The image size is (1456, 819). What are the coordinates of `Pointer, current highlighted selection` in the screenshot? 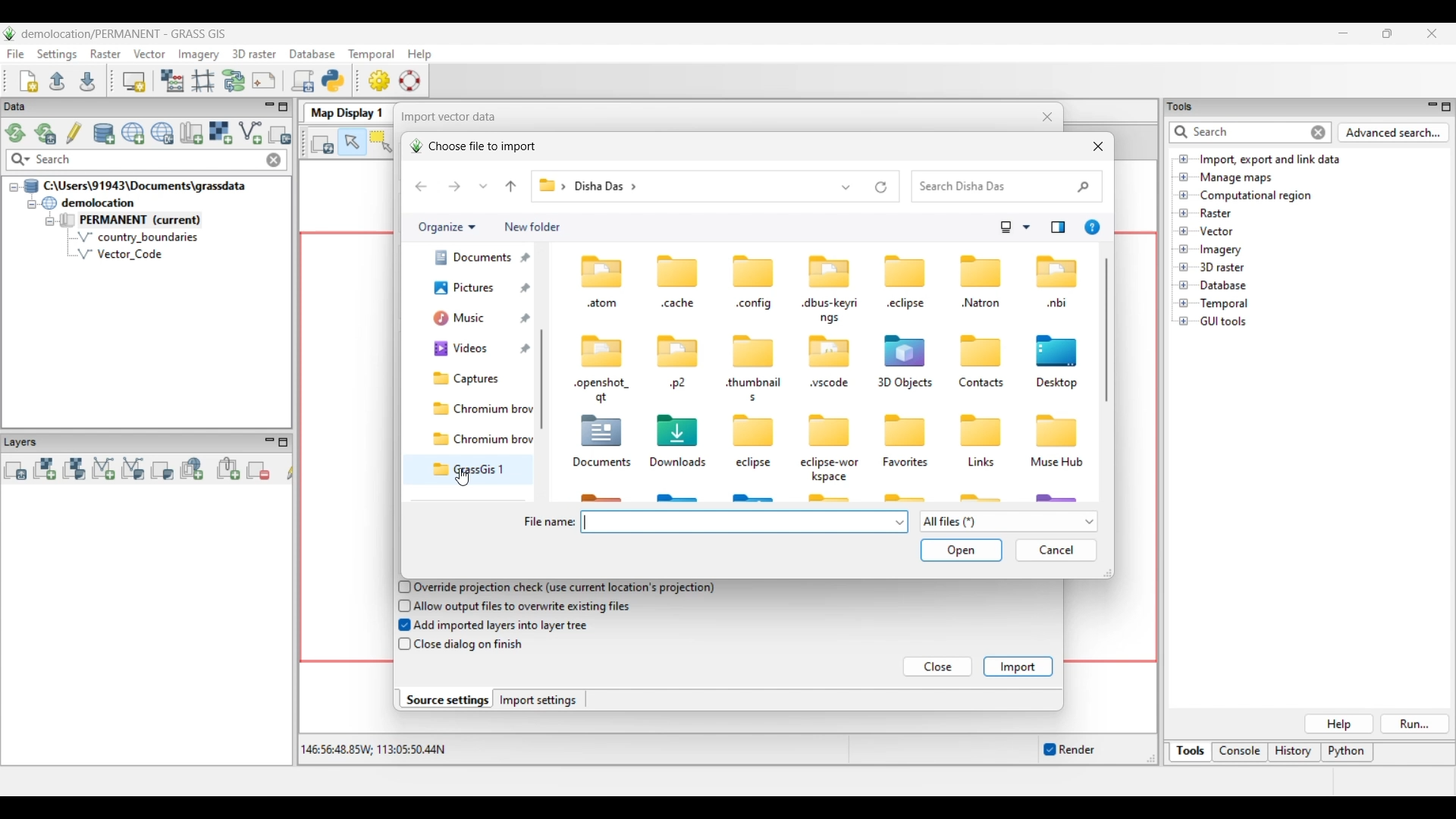 It's located at (352, 143).